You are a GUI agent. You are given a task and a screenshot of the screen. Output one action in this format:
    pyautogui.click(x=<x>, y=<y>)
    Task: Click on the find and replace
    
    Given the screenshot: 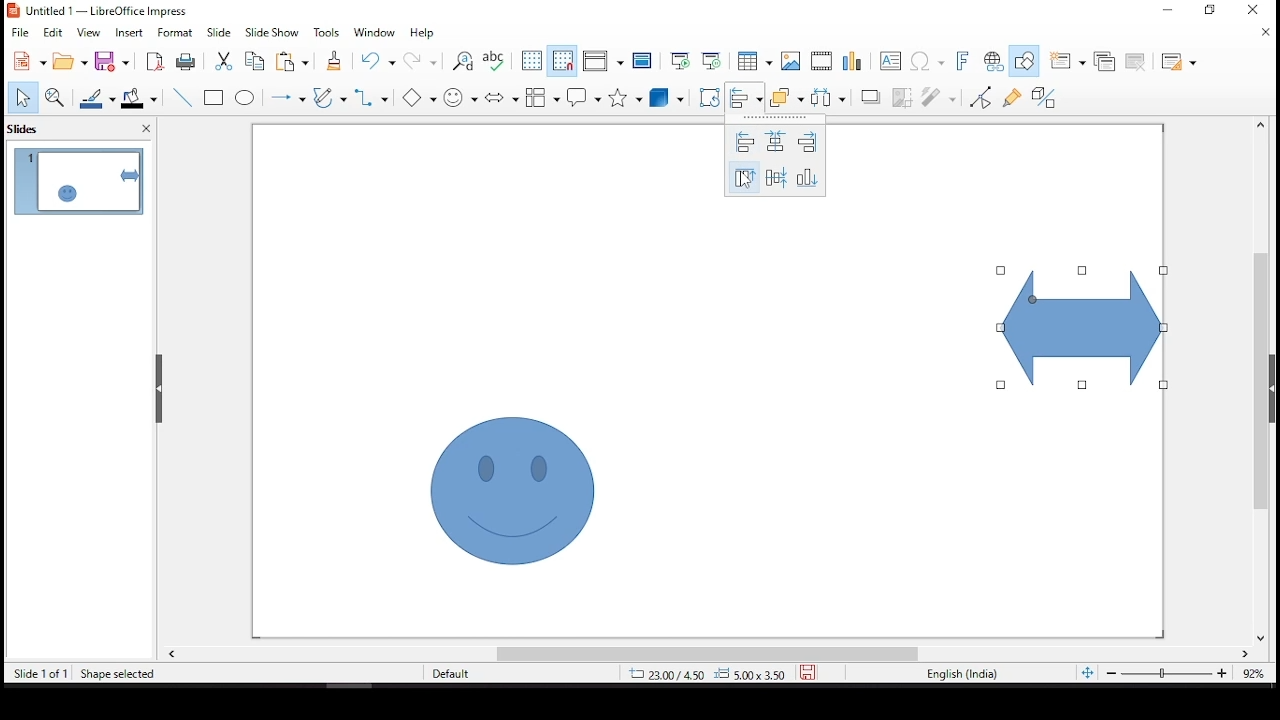 What is the action you would take?
    pyautogui.click(x=463, y=62)
    